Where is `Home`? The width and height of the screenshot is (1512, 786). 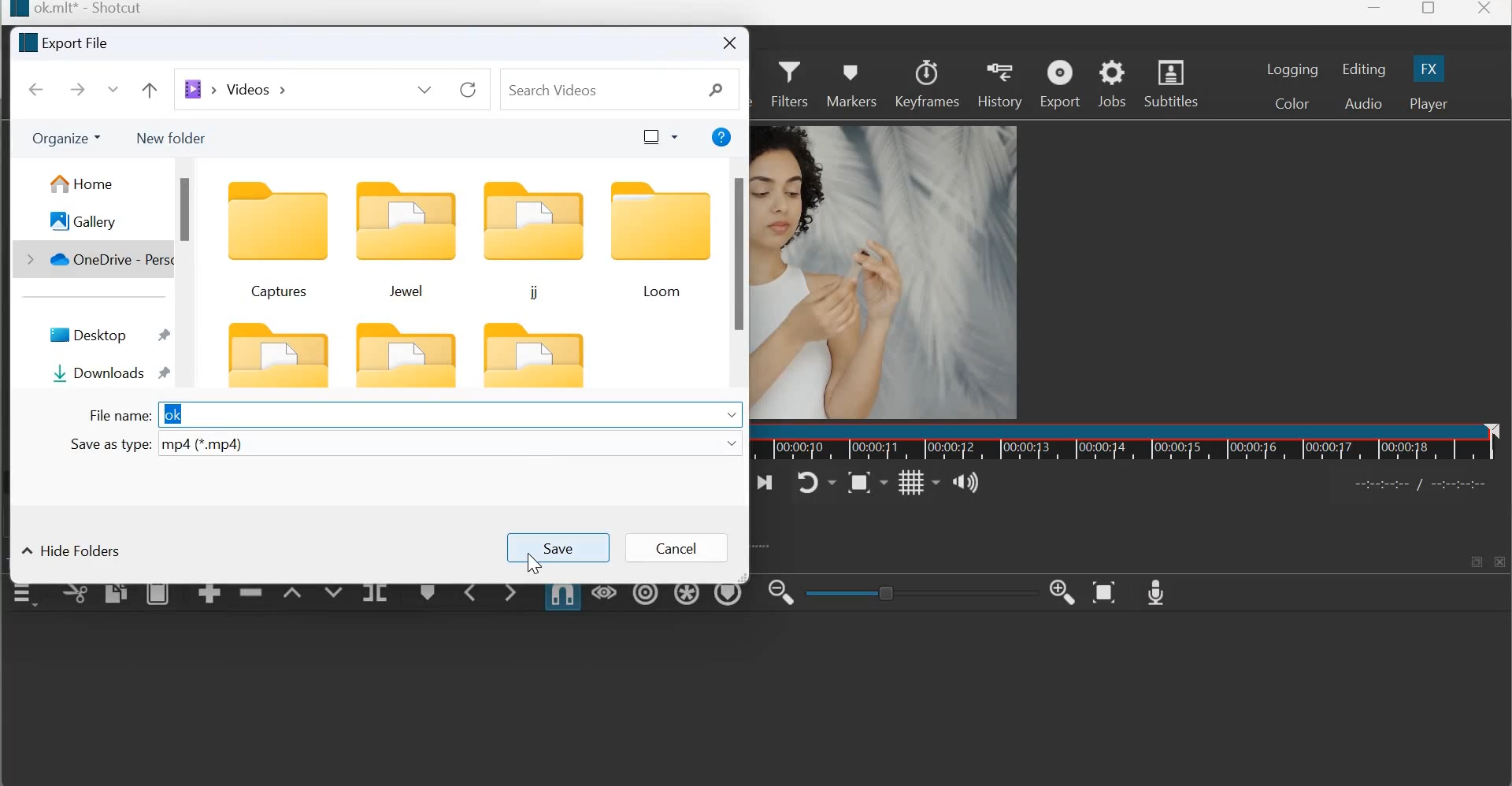
Home is located at coordinates (81, 182).